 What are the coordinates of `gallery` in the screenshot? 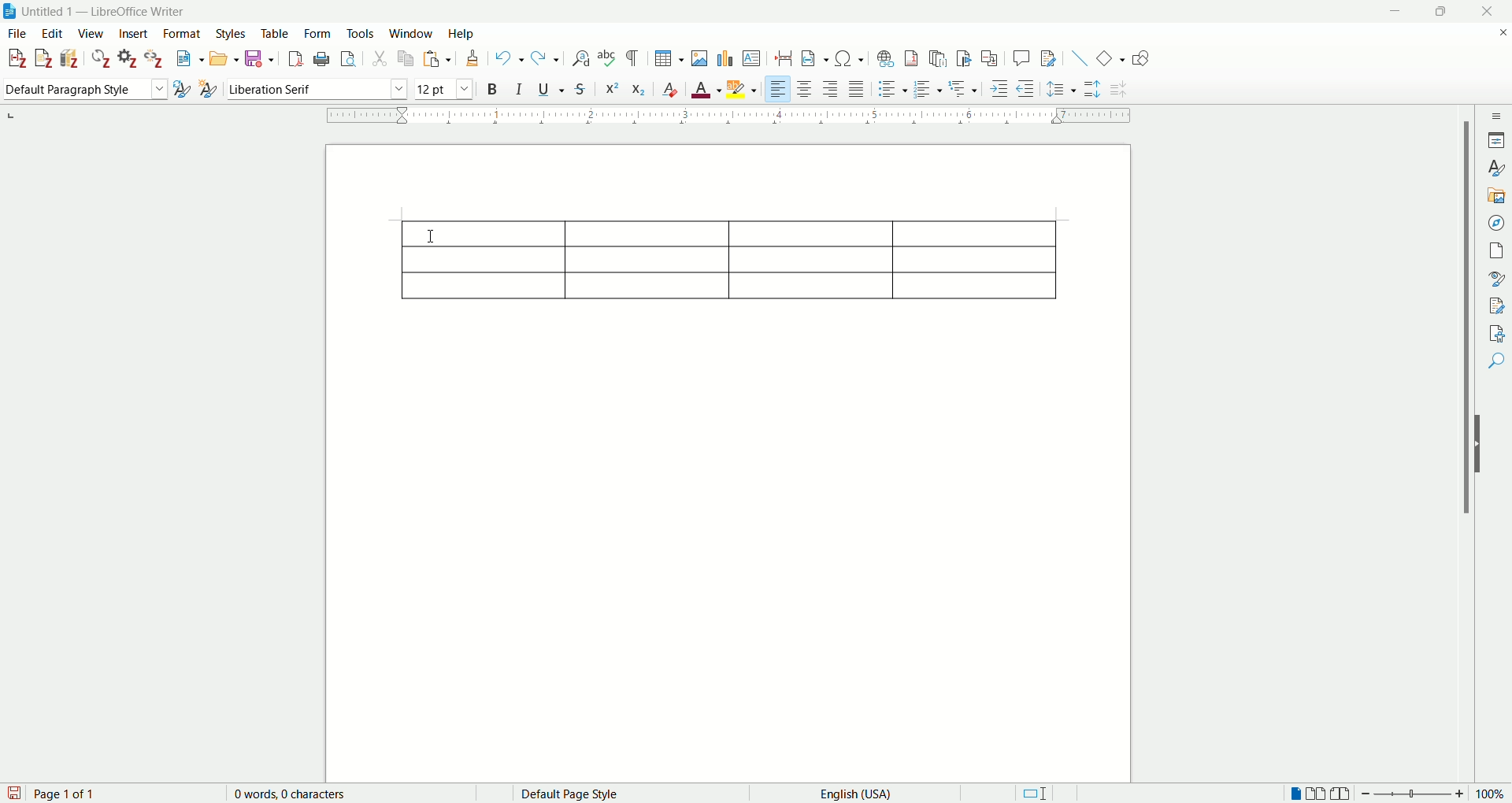 It's located at (1495, 198).